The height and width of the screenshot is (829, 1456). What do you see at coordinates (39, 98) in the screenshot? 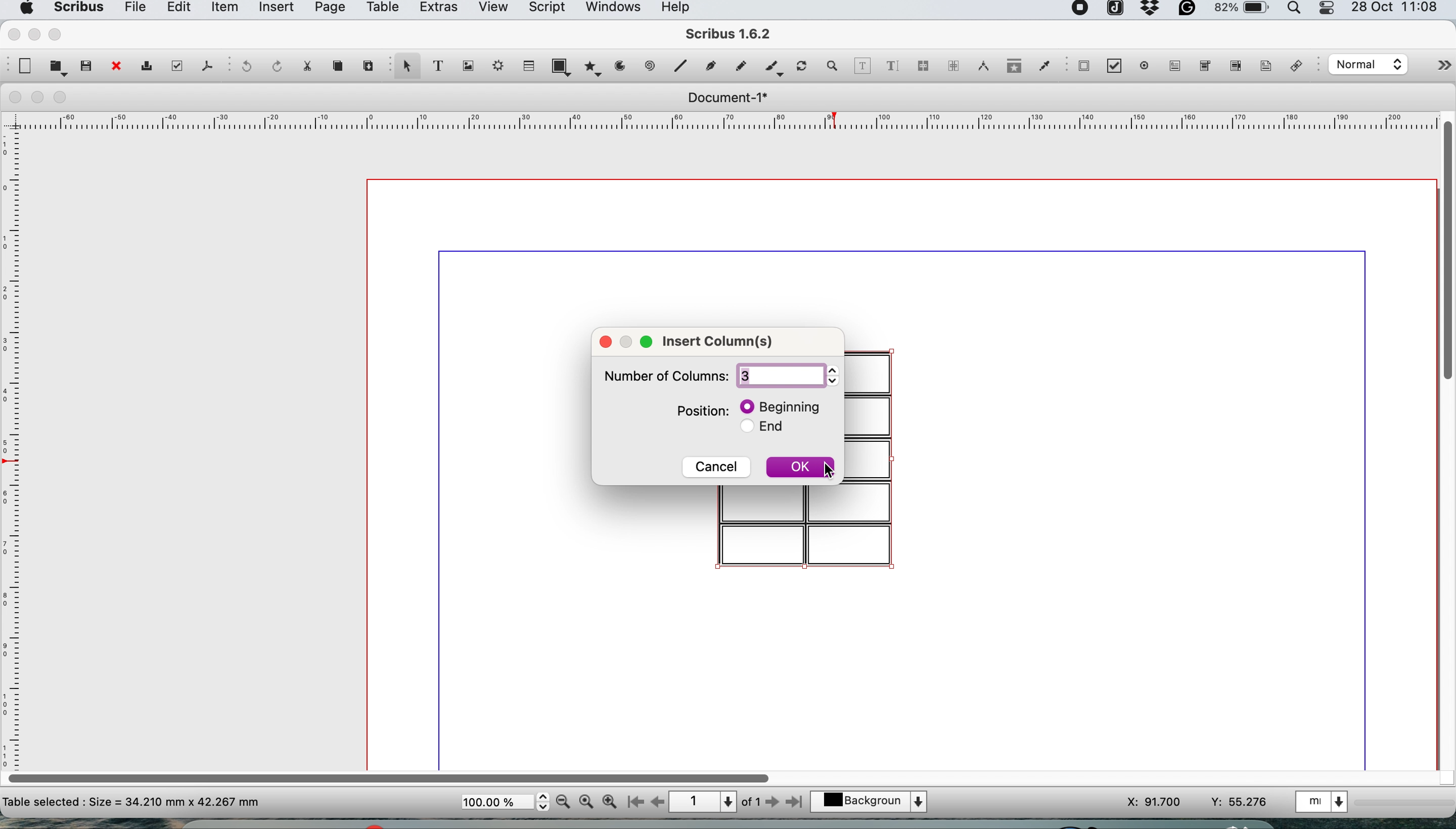
I see `minimise` at bounding box center [39, 98].